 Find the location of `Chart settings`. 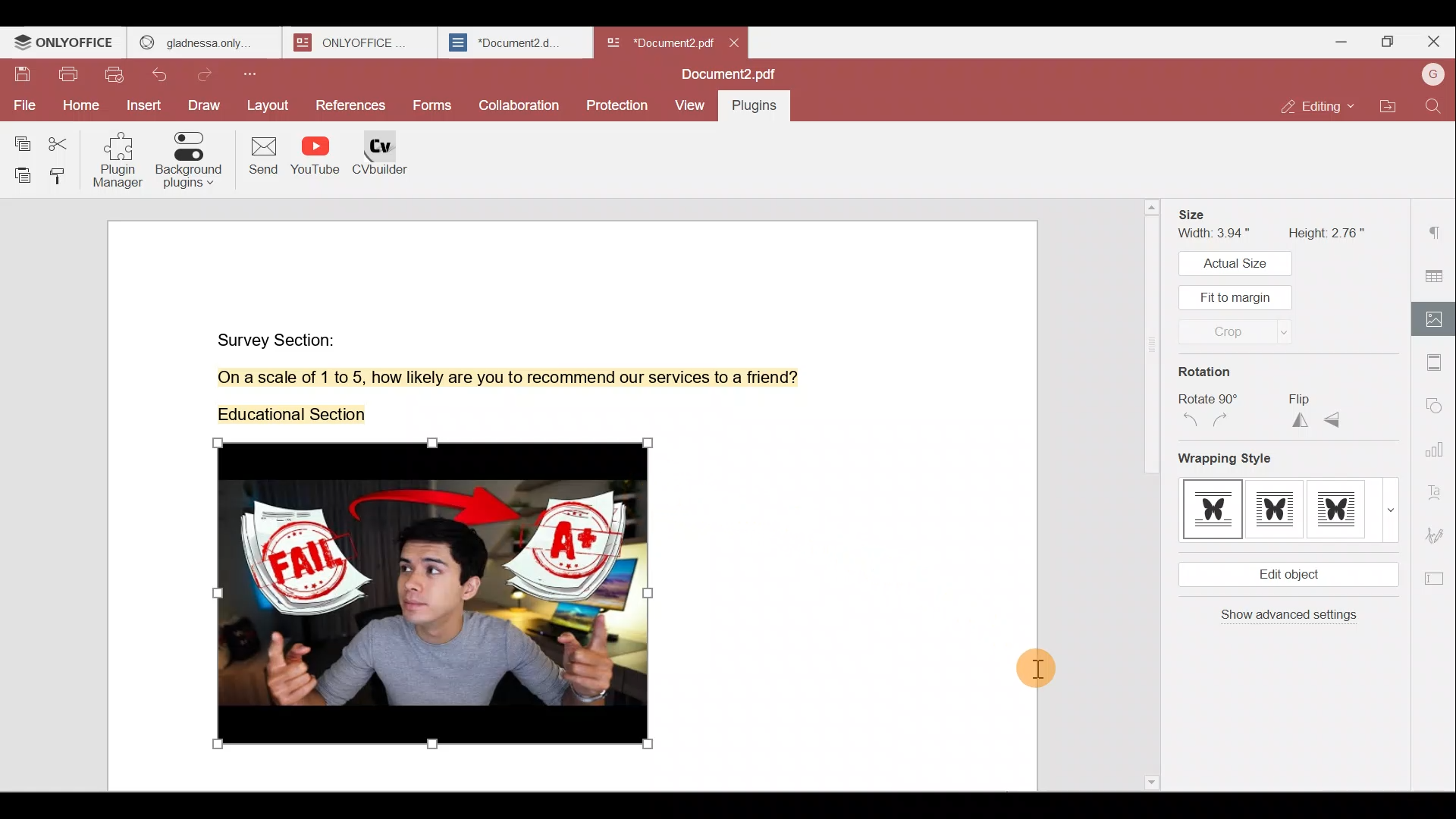

Chart settings is located at coordinates (1439, 441).